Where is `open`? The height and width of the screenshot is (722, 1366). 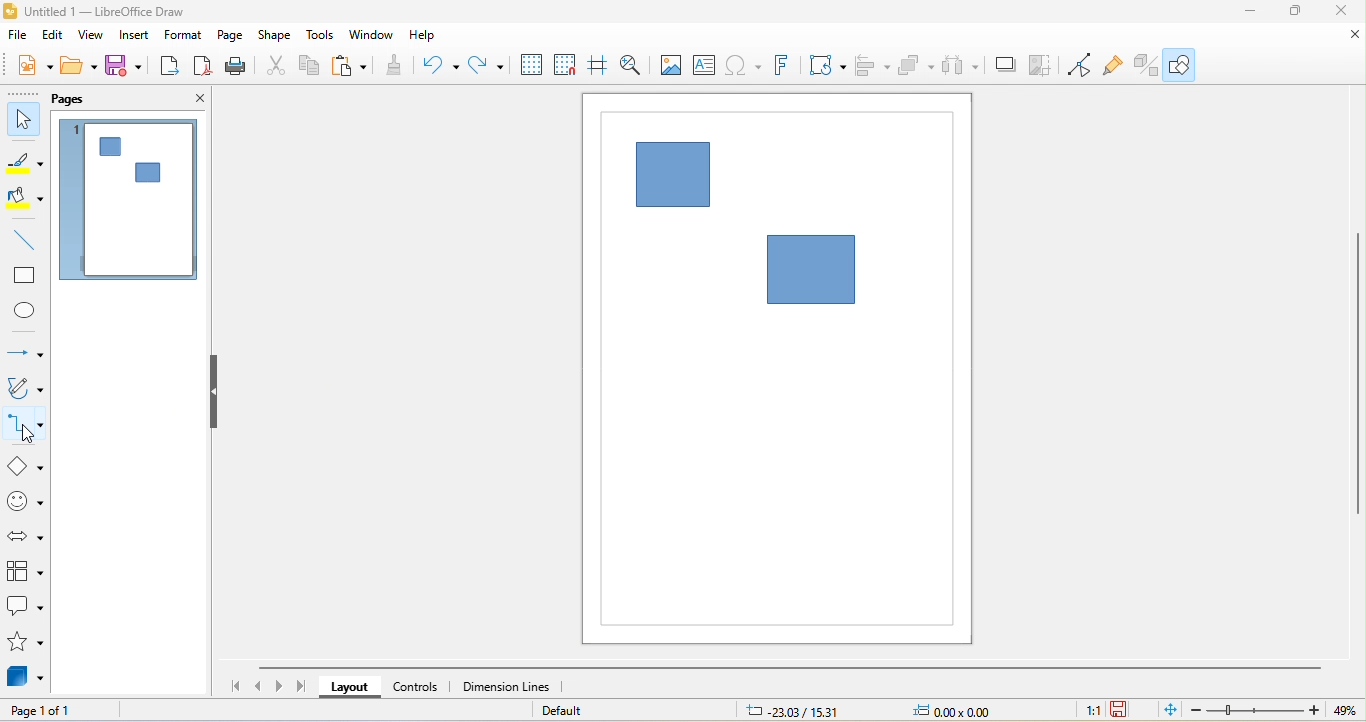
open is located at coordinates (79, 67).